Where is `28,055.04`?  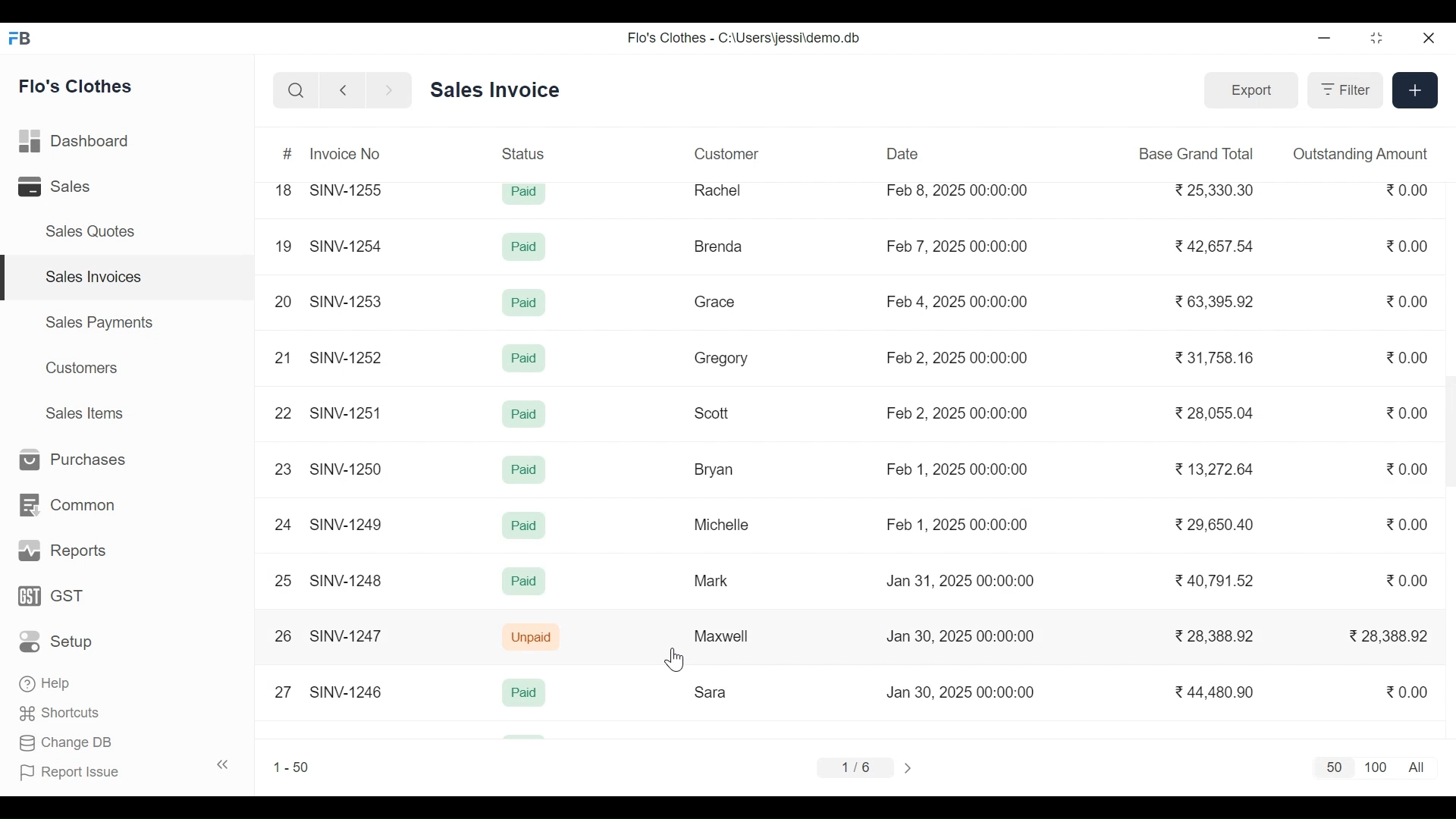
28,055.04 is located at coordinates (1213, 412).